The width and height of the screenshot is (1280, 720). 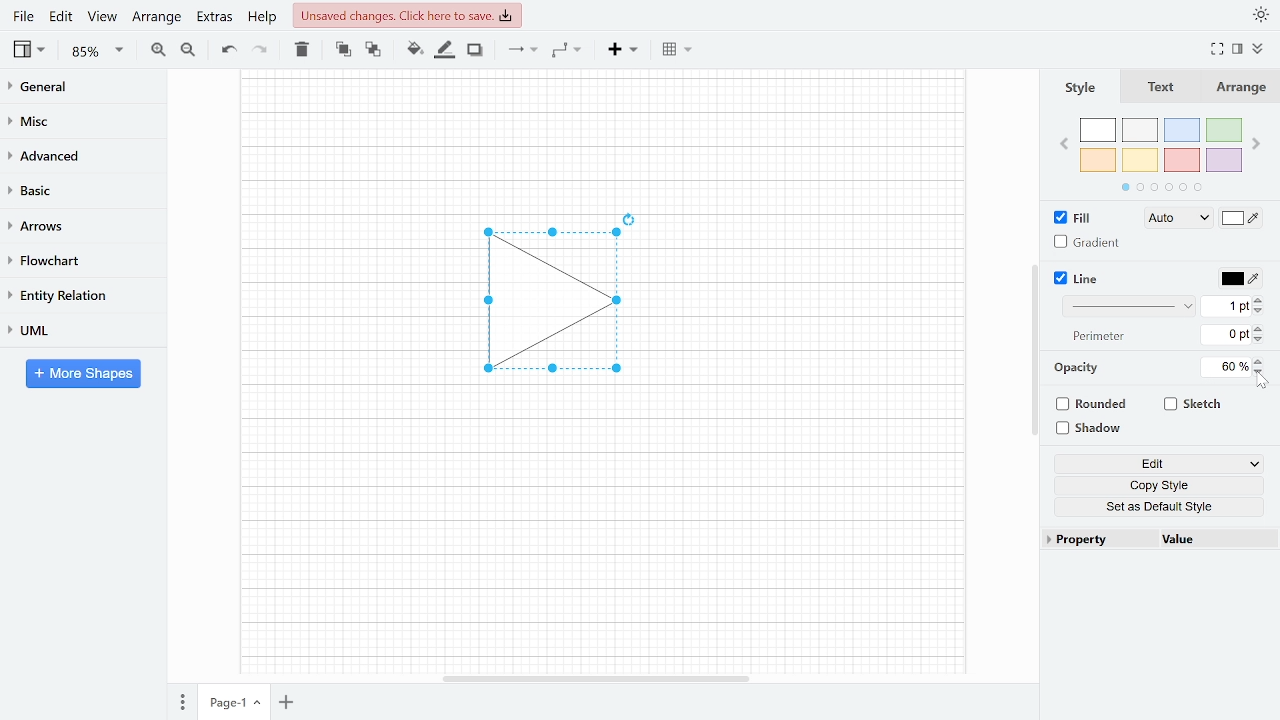 I want to click on Delete, so click(x=300, y=49).